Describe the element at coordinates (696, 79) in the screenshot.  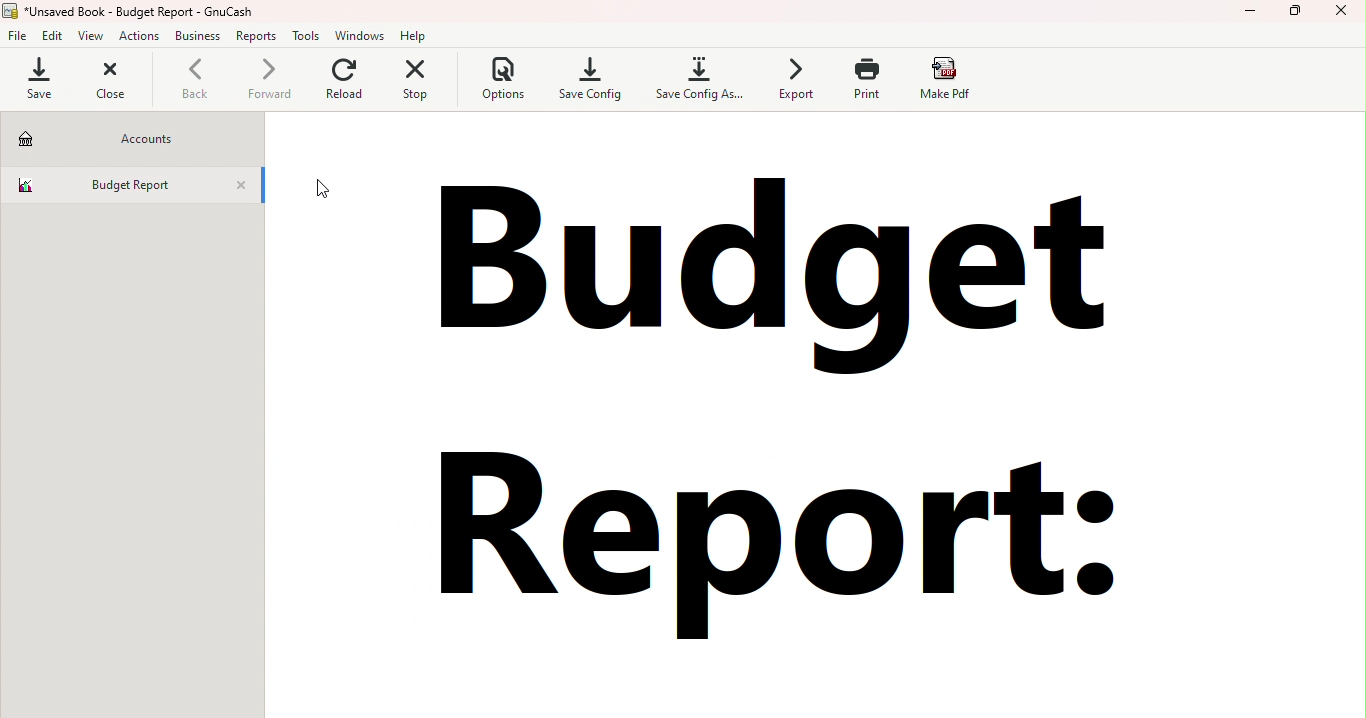
I see `Save config as` at that location.